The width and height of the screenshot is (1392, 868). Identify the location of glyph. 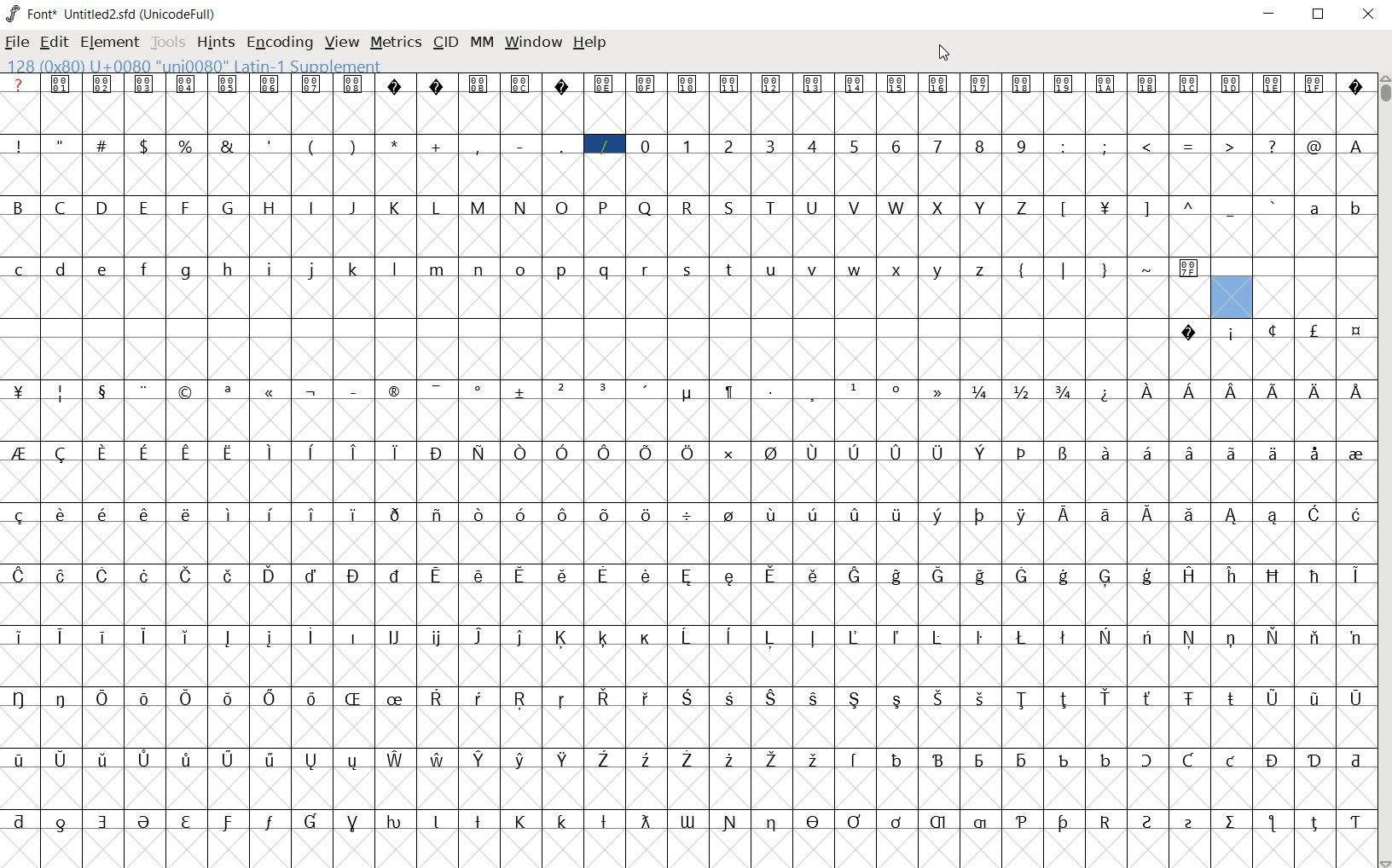
(687, 822).